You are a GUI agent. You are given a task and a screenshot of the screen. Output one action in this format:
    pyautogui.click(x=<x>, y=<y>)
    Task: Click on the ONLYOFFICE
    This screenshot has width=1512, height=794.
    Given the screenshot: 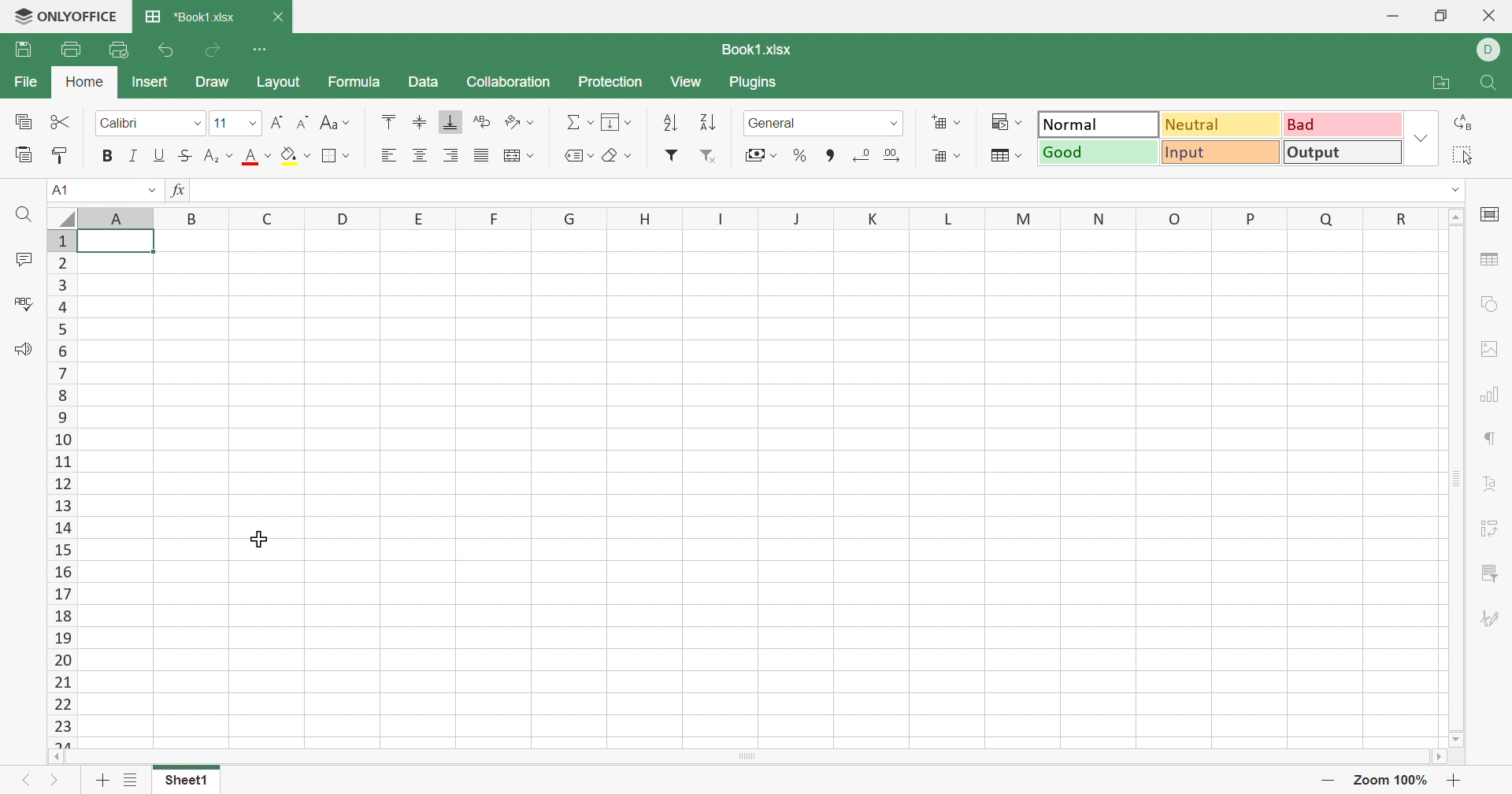 What is the action you would take?
    pyautogui.click(x=67, y=14)
    